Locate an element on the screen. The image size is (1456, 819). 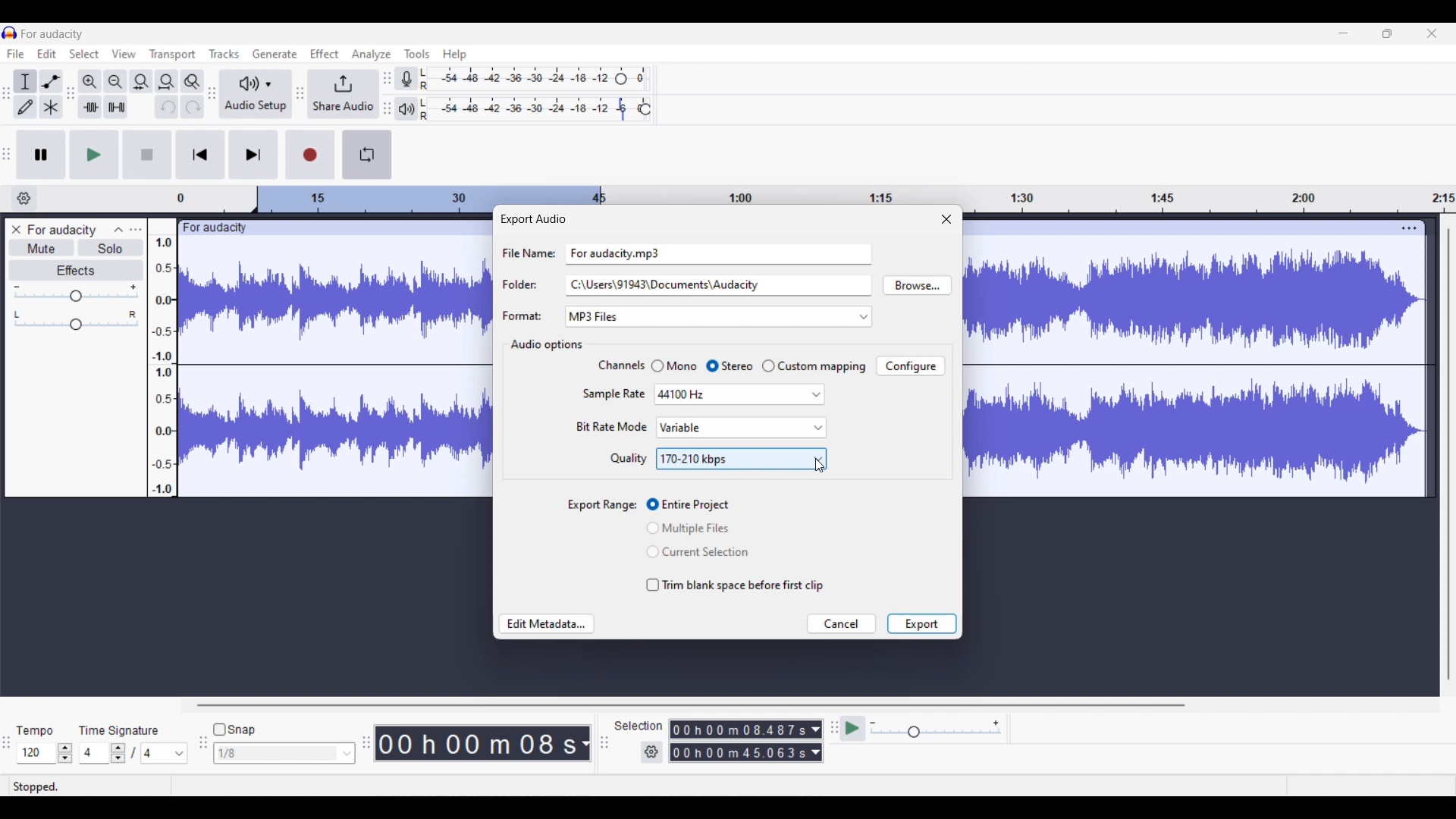
Effect menu is located at coordinates (324, 53).